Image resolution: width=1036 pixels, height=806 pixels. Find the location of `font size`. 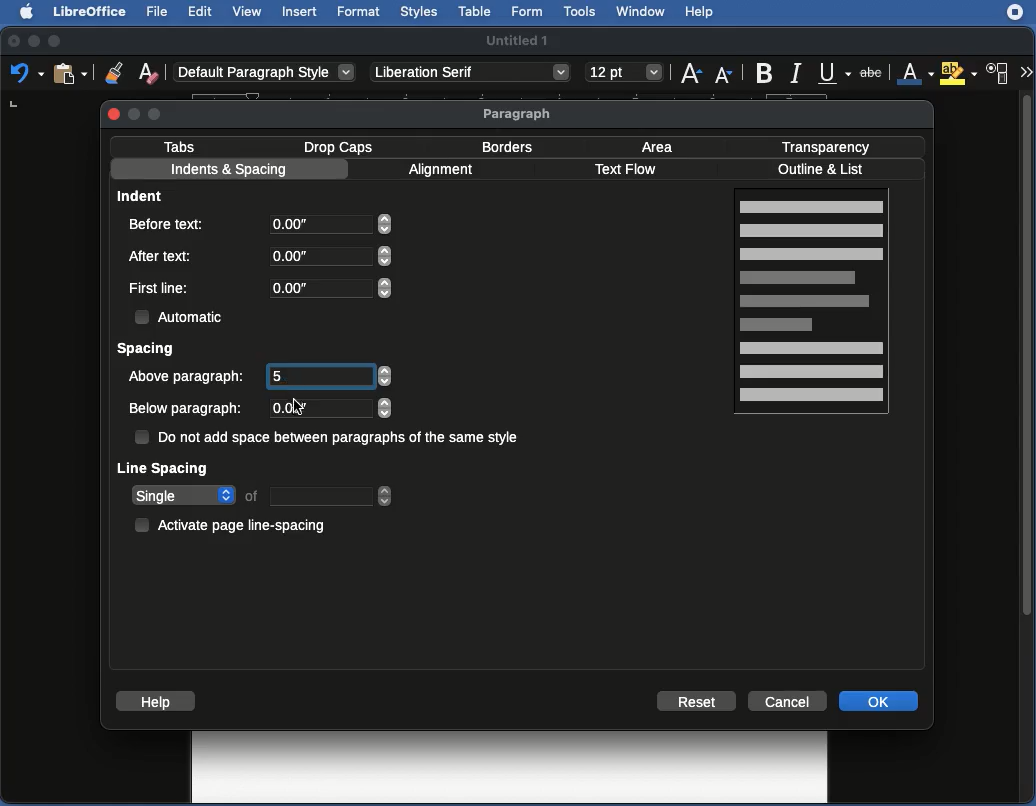

font size is located at coordinates (621, 72).